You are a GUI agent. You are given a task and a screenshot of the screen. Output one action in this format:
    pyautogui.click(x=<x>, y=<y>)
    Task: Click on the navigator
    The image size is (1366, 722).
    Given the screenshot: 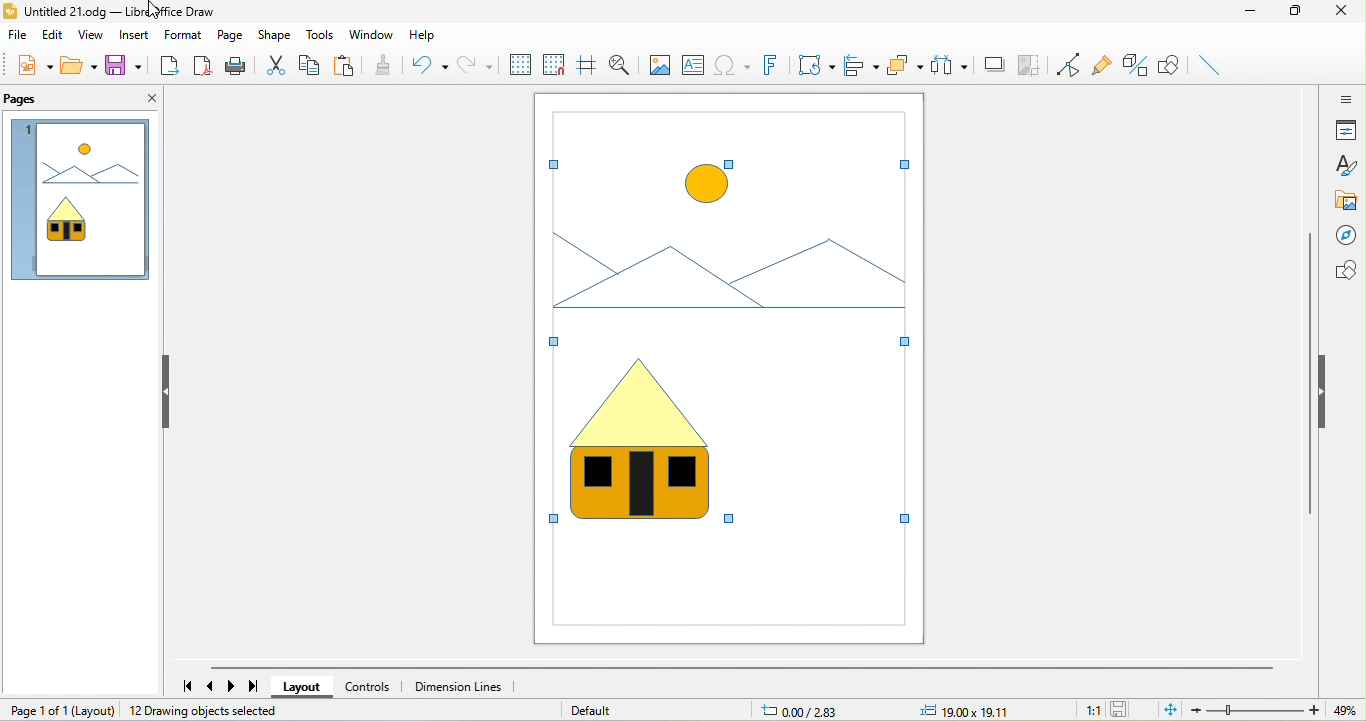 What is the action you would take?
    pyautogui.click(x=1344, y=237)
    